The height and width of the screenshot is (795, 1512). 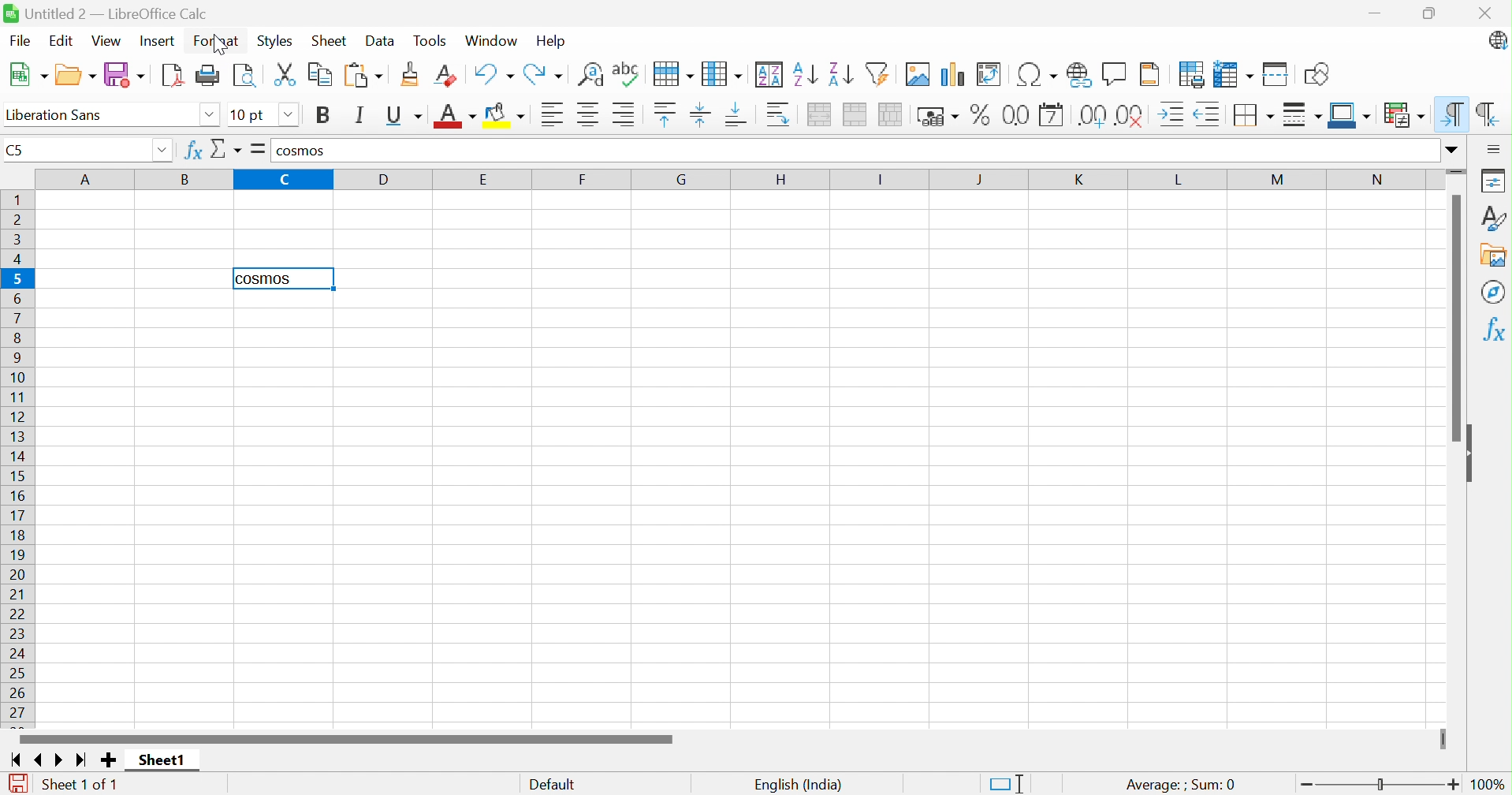 What do you see at coordinates (1493, 293) in the screenshot?
I see `Navigator` at bounding box center [1493, 293].